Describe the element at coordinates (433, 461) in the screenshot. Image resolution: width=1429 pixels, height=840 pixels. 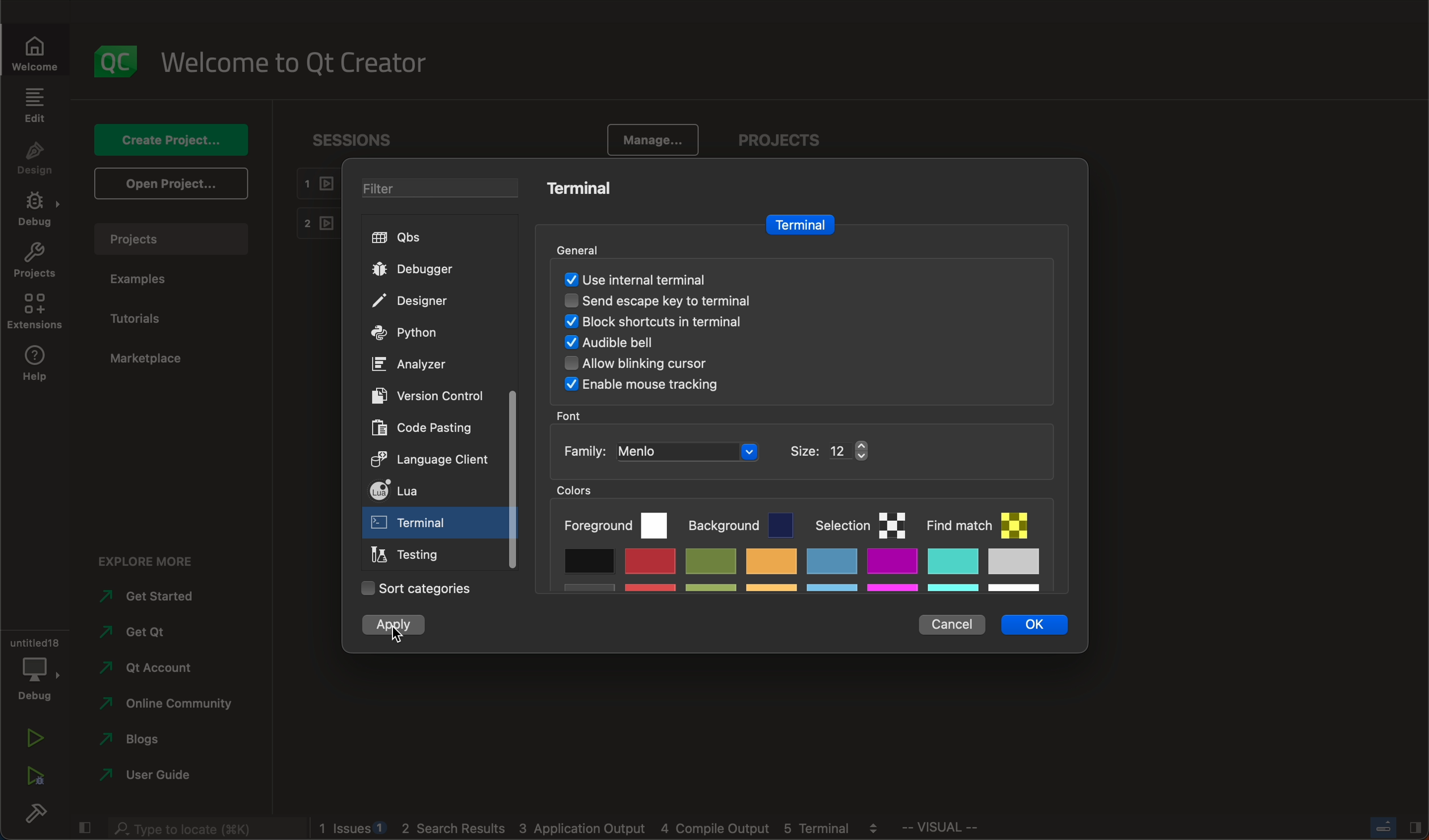
I see `language` at that location.